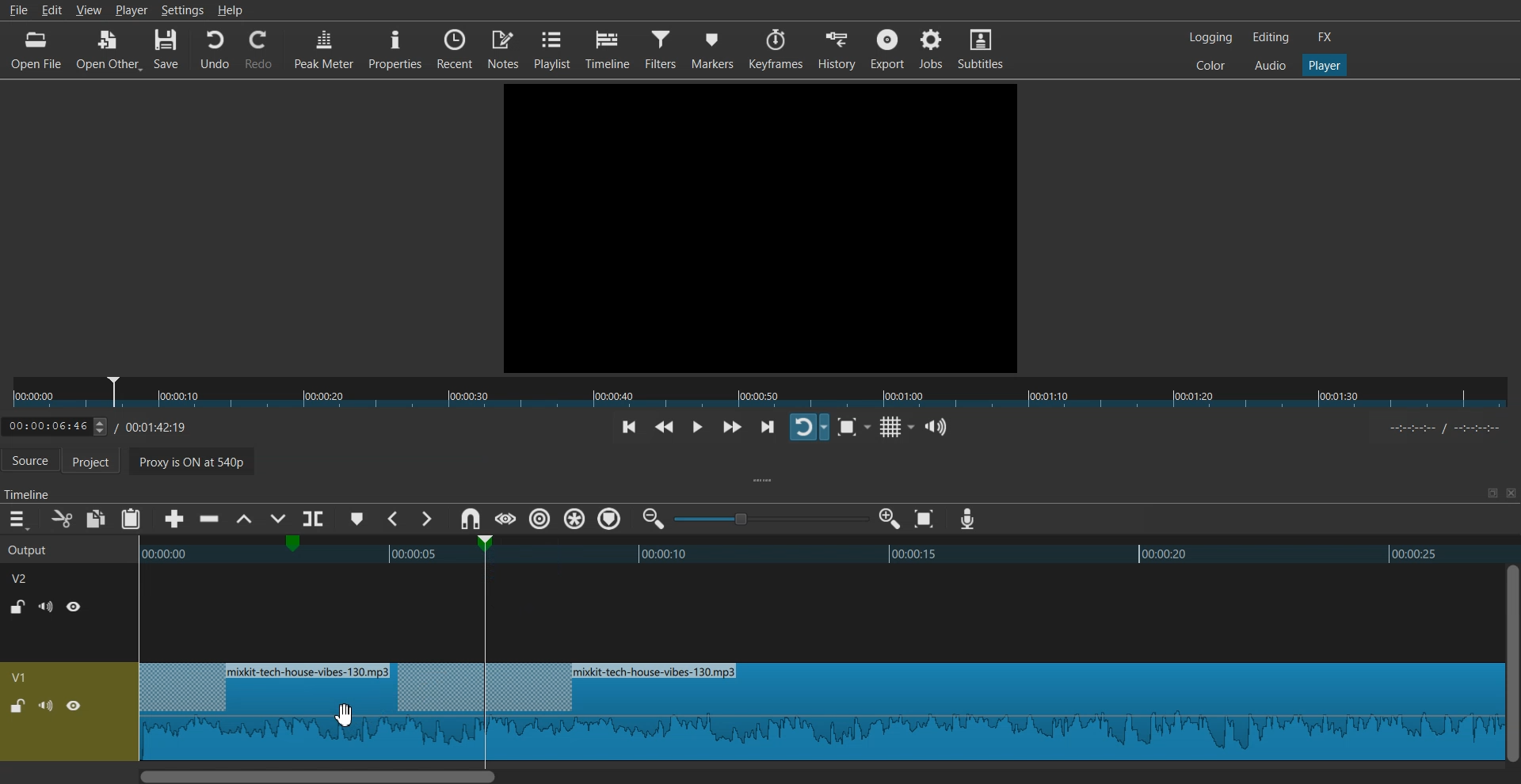  What do you see at coordinates (109, 51) in the screenshot?
I see `Open Other` at bounding box center [109, 51].